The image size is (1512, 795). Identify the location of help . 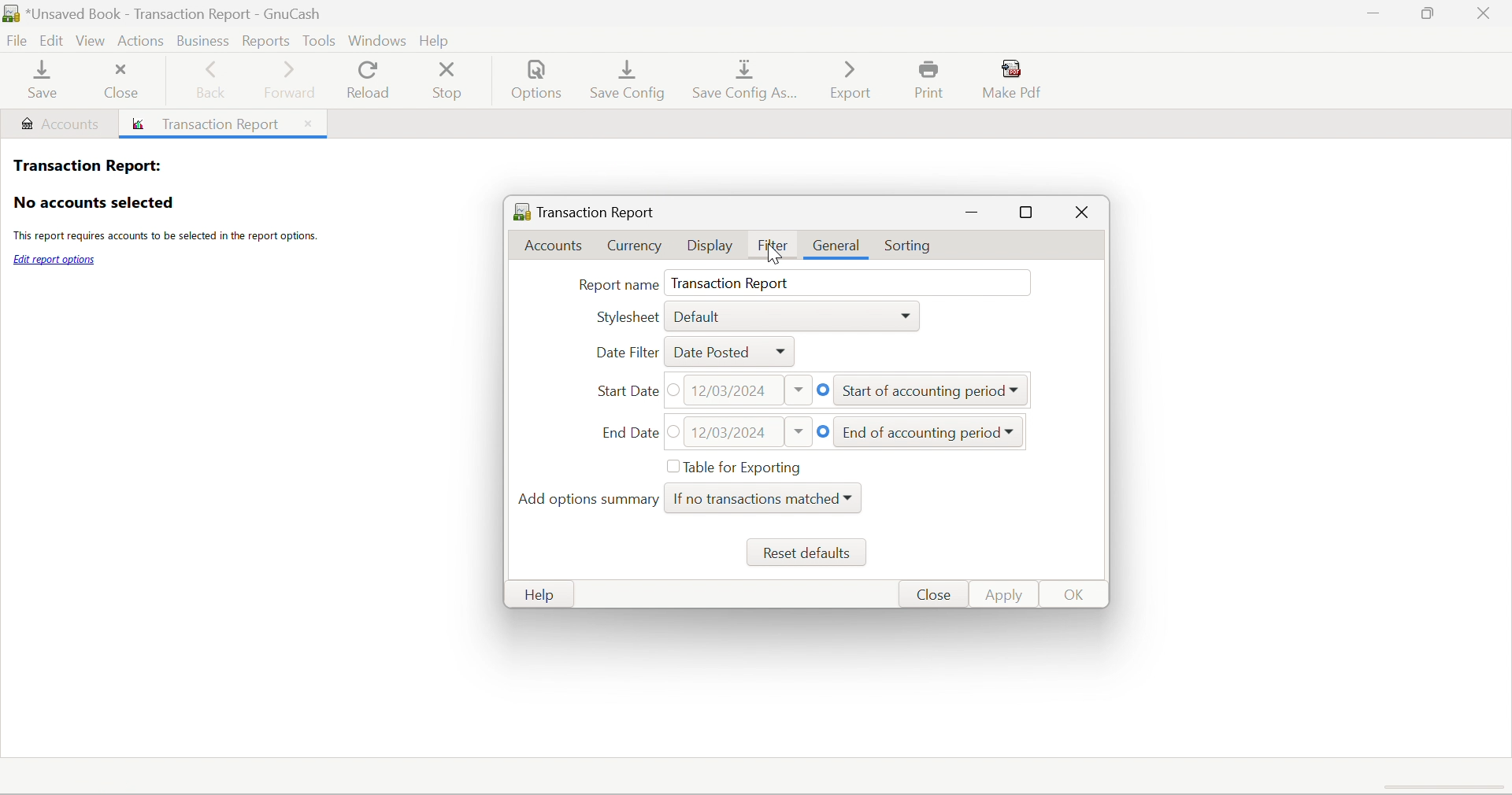
(439, 38).